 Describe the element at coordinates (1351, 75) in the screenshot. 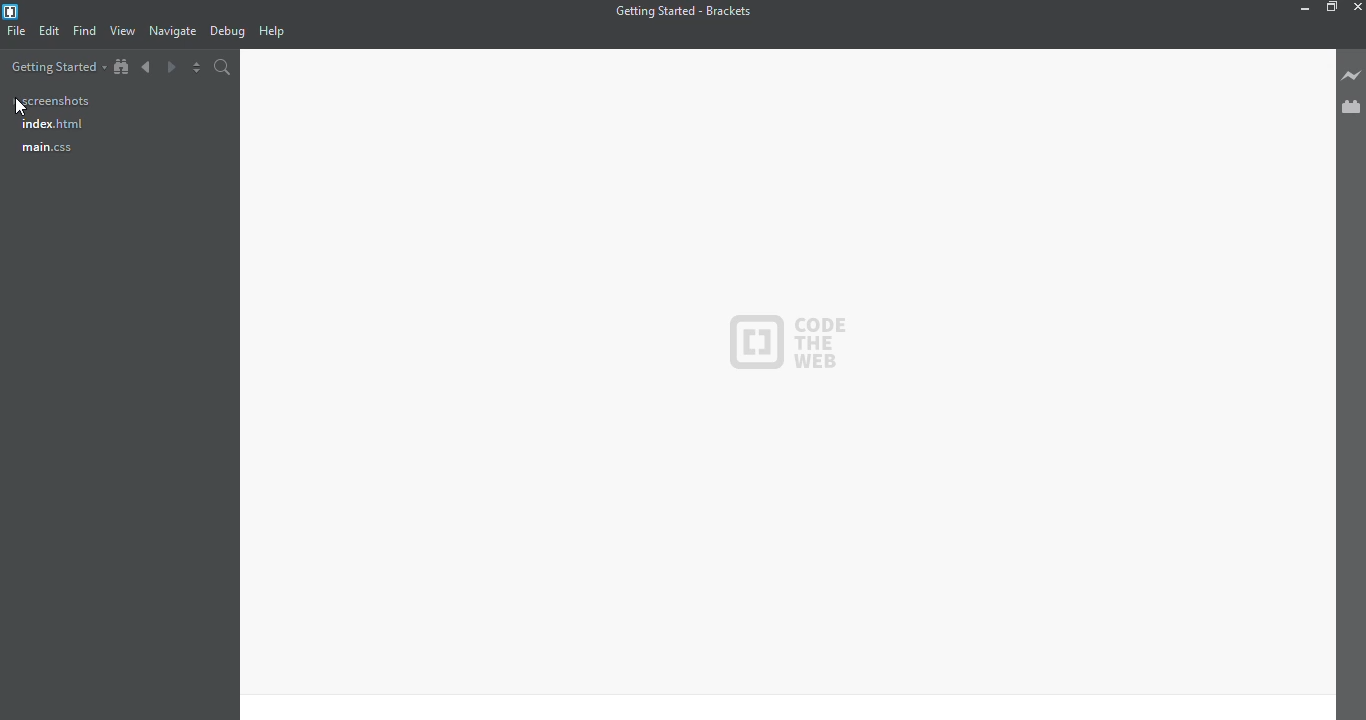

I see `live preview` at that location.